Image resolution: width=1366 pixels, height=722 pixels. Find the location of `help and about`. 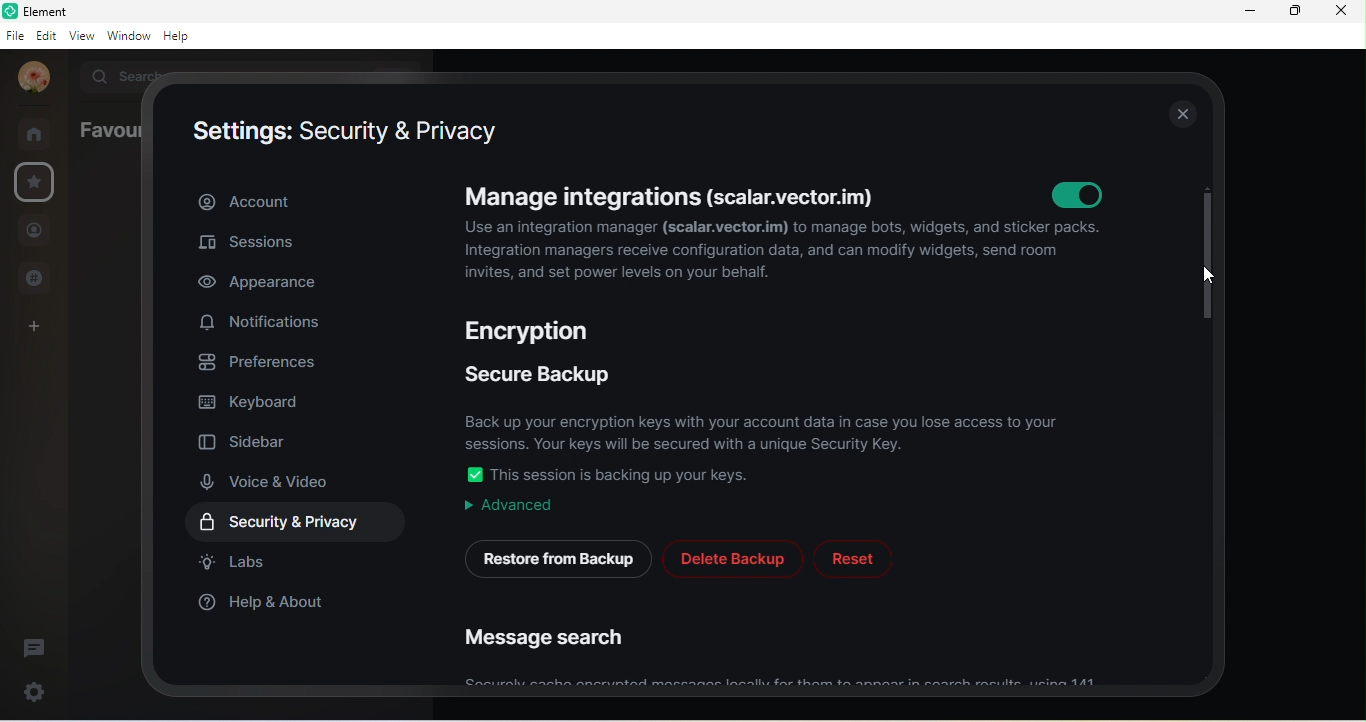

help and about is located at coordinates (263, 603).